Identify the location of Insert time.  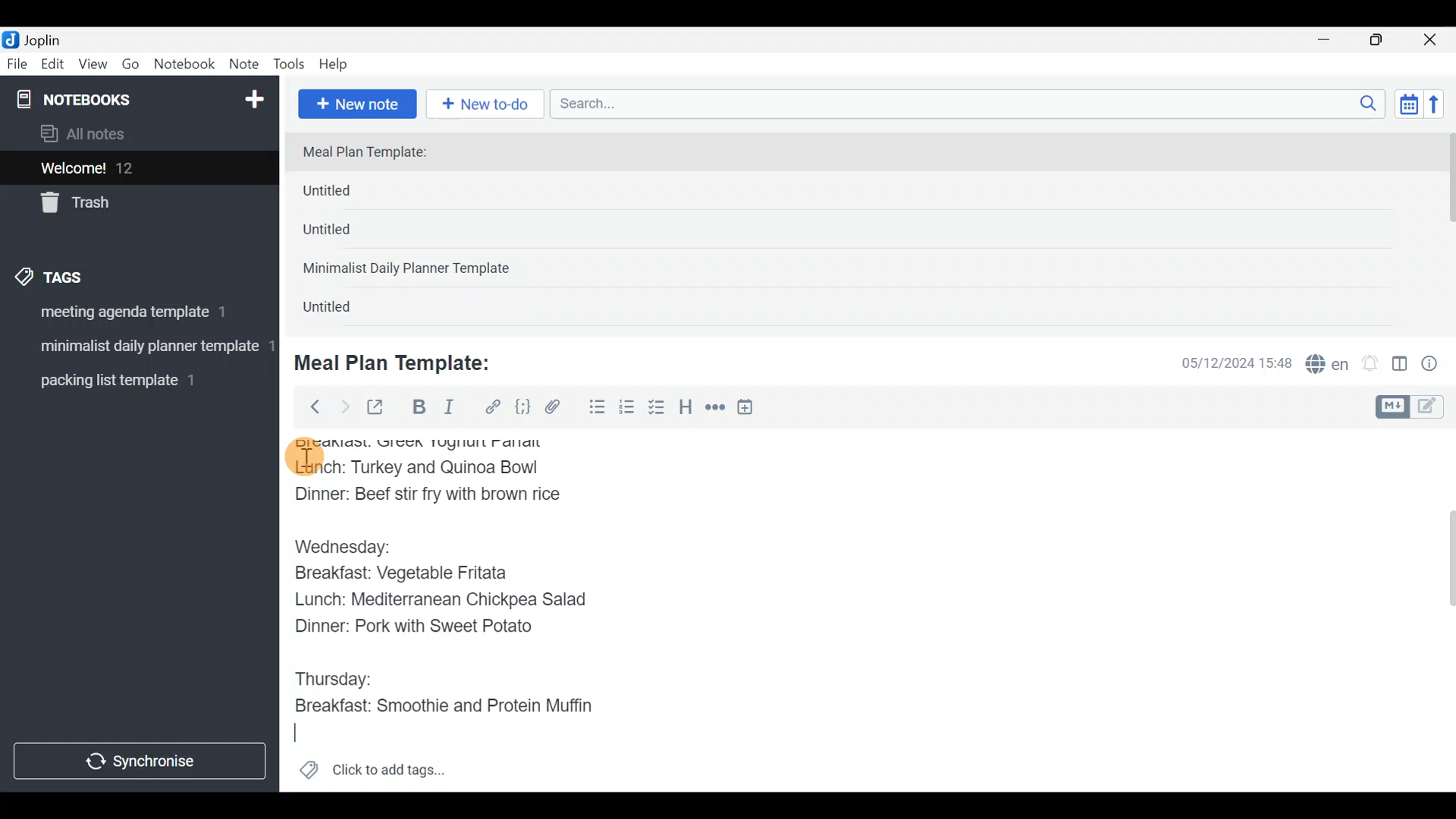
(752, 409).